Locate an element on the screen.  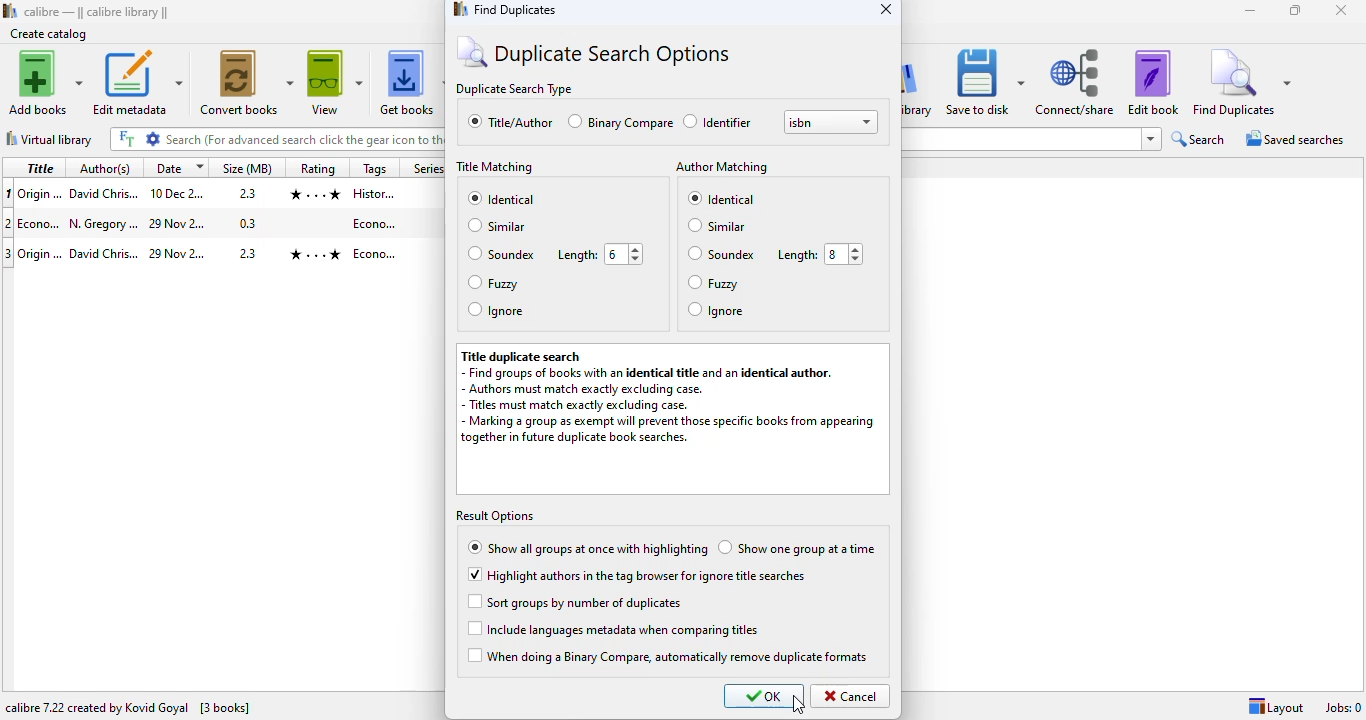
input box is located at coordinates (1018, 140).